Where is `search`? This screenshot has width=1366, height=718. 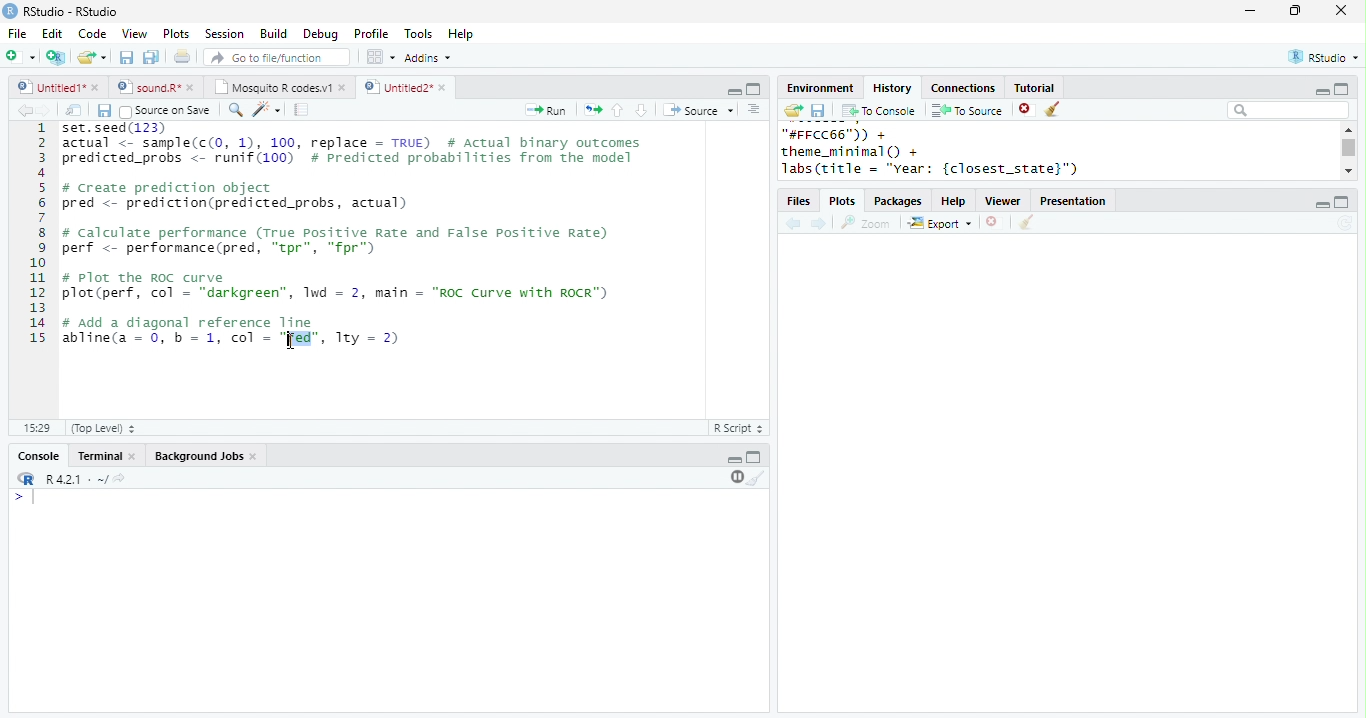 search is located at coordinates (236, 110).